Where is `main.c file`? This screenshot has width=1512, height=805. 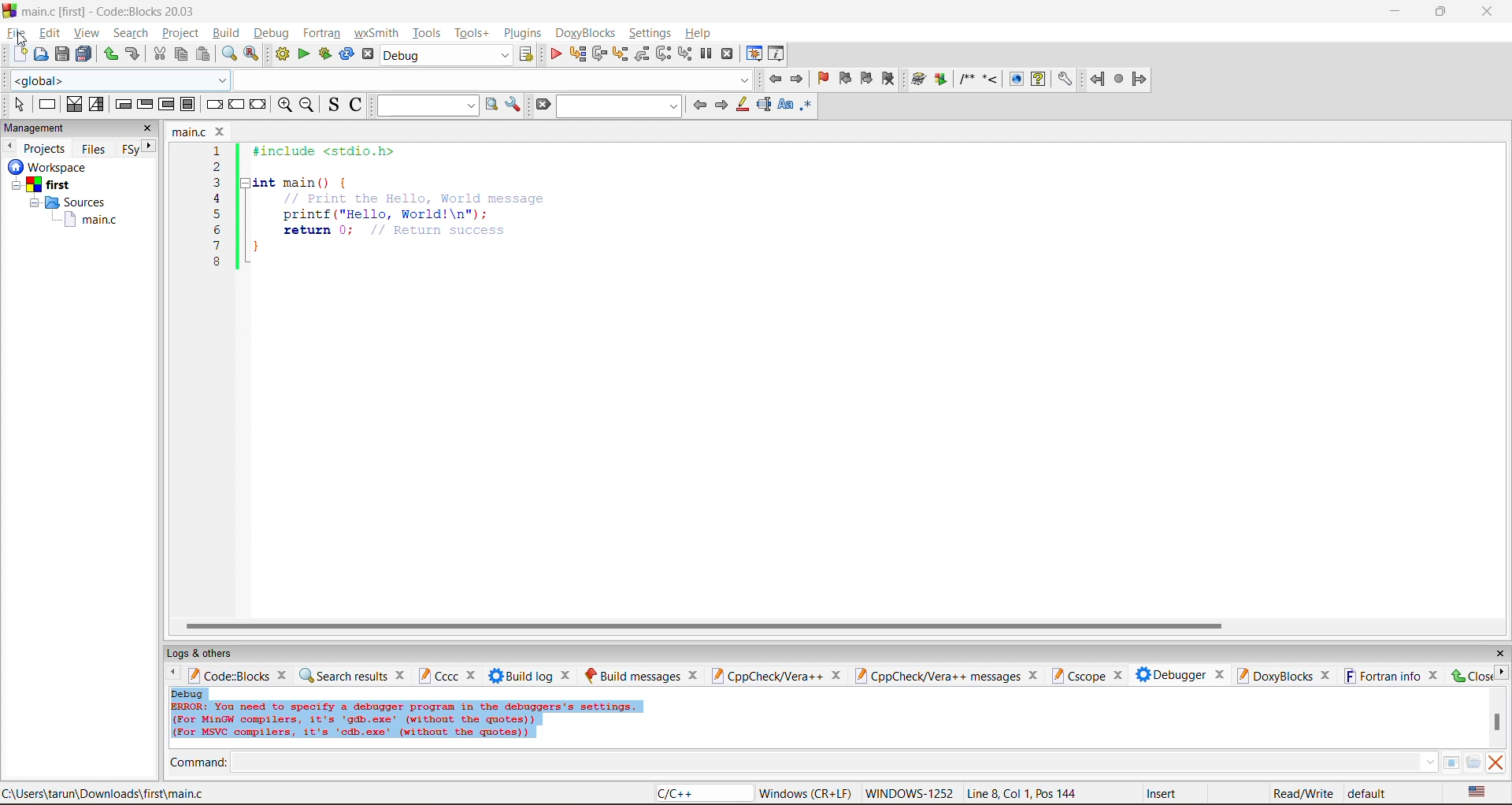
main.c file is located at coordinates (91, 221).